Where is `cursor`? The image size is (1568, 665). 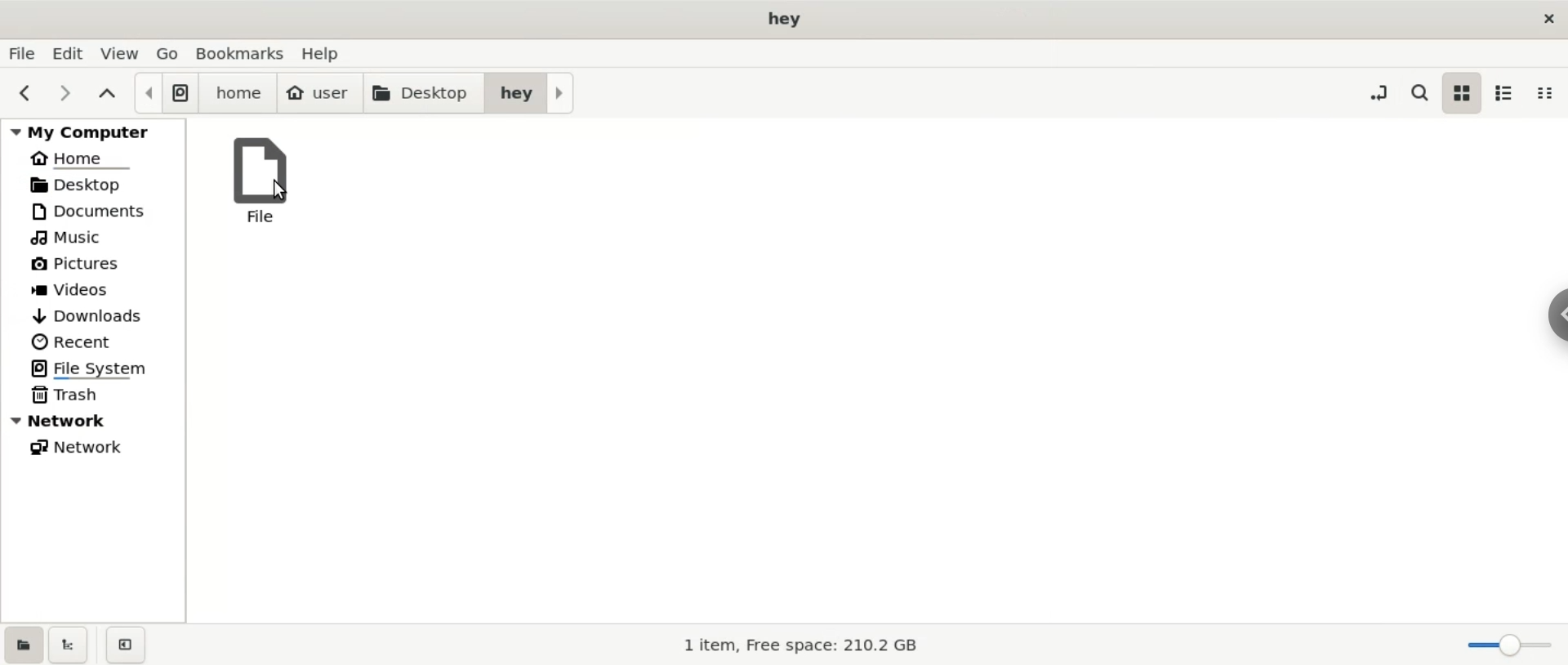 cursor is located at coordinates (282, 190).